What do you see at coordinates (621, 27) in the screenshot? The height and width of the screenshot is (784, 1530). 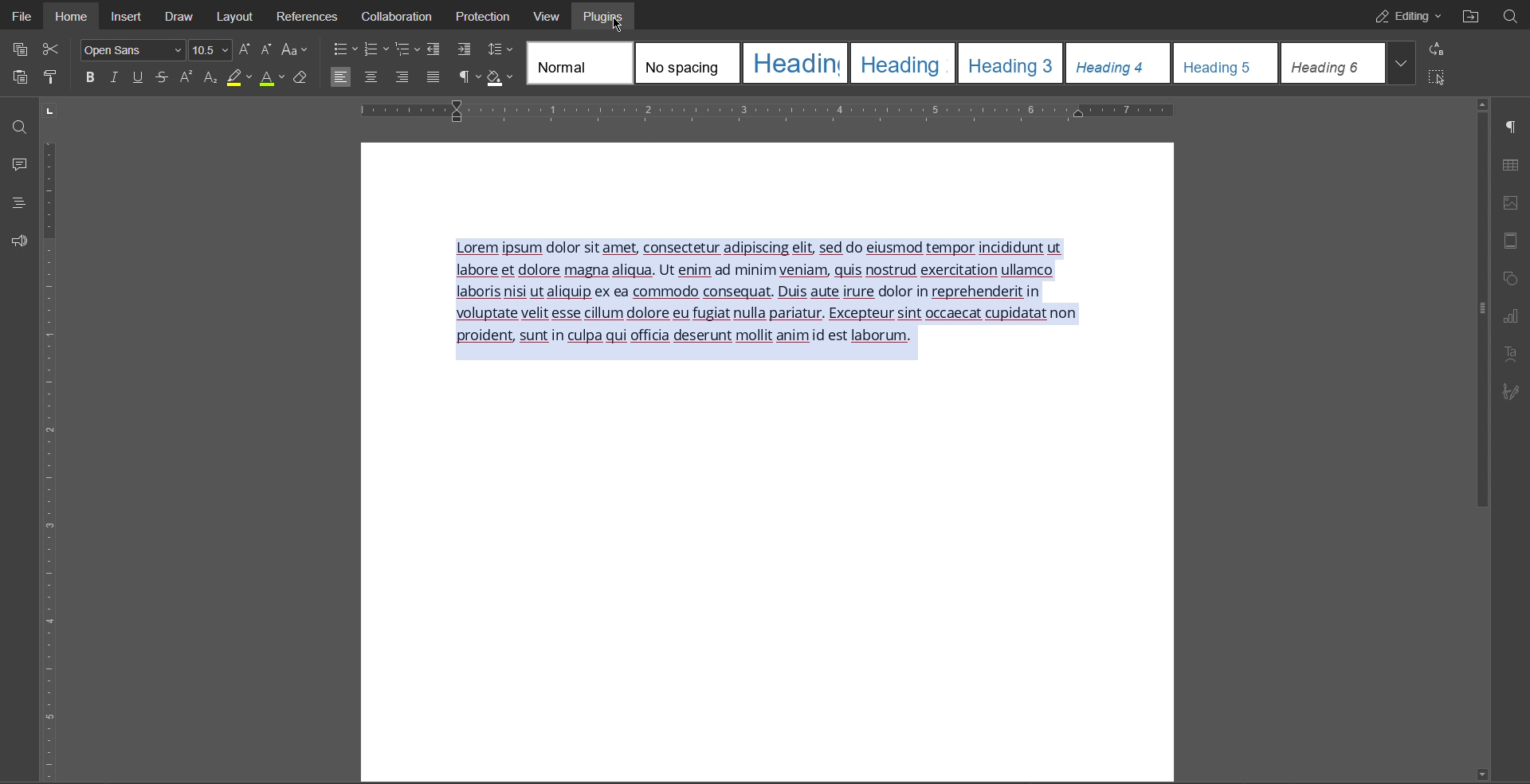 I see `Cursor at Plugins` at bounding box center [621, 27].